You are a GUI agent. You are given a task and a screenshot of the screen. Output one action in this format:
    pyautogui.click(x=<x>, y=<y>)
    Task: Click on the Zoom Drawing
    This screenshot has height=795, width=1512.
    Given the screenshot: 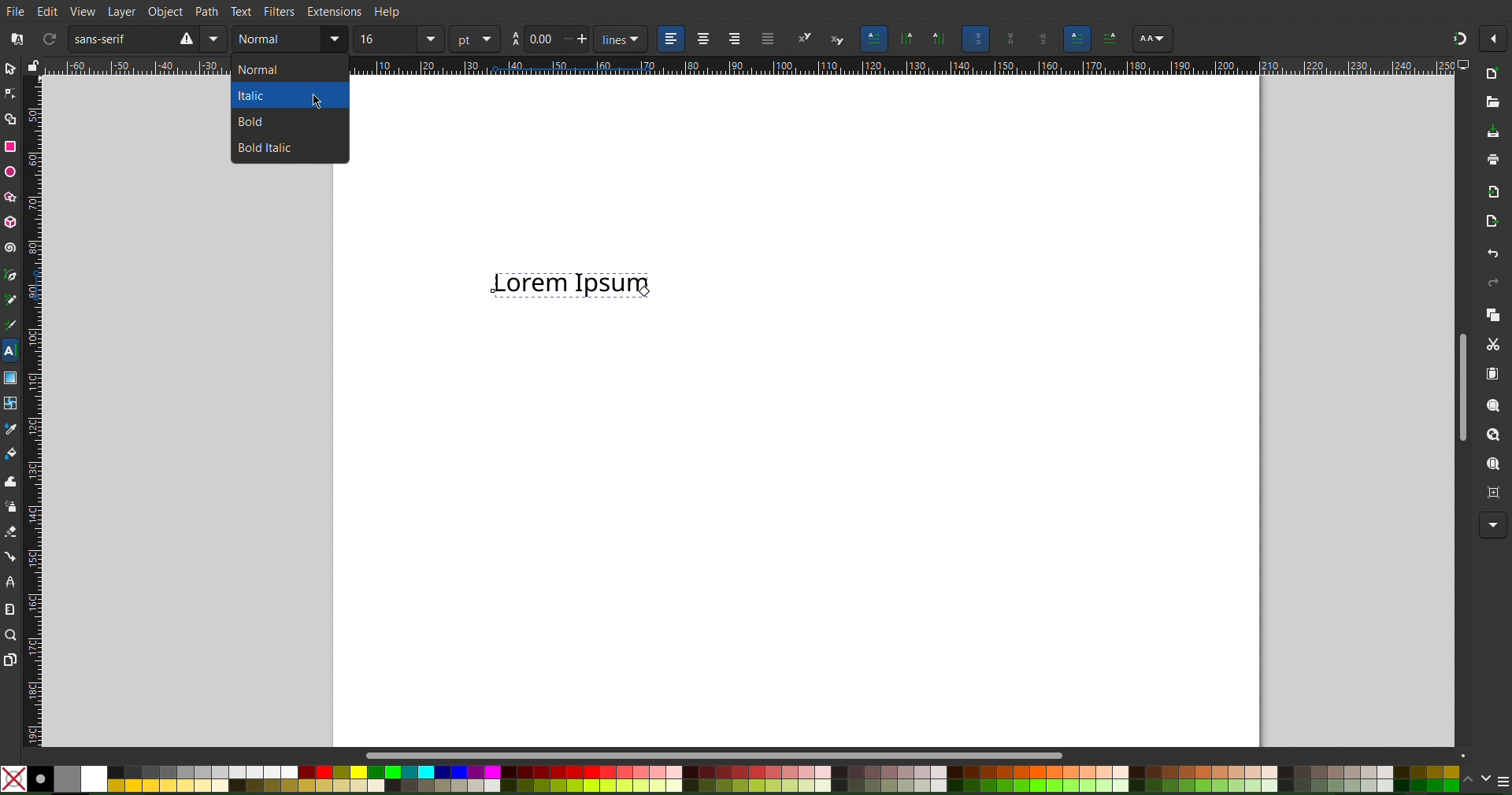 What is the action you would take?
    pyautogui.click(x=1488, y=436)
    